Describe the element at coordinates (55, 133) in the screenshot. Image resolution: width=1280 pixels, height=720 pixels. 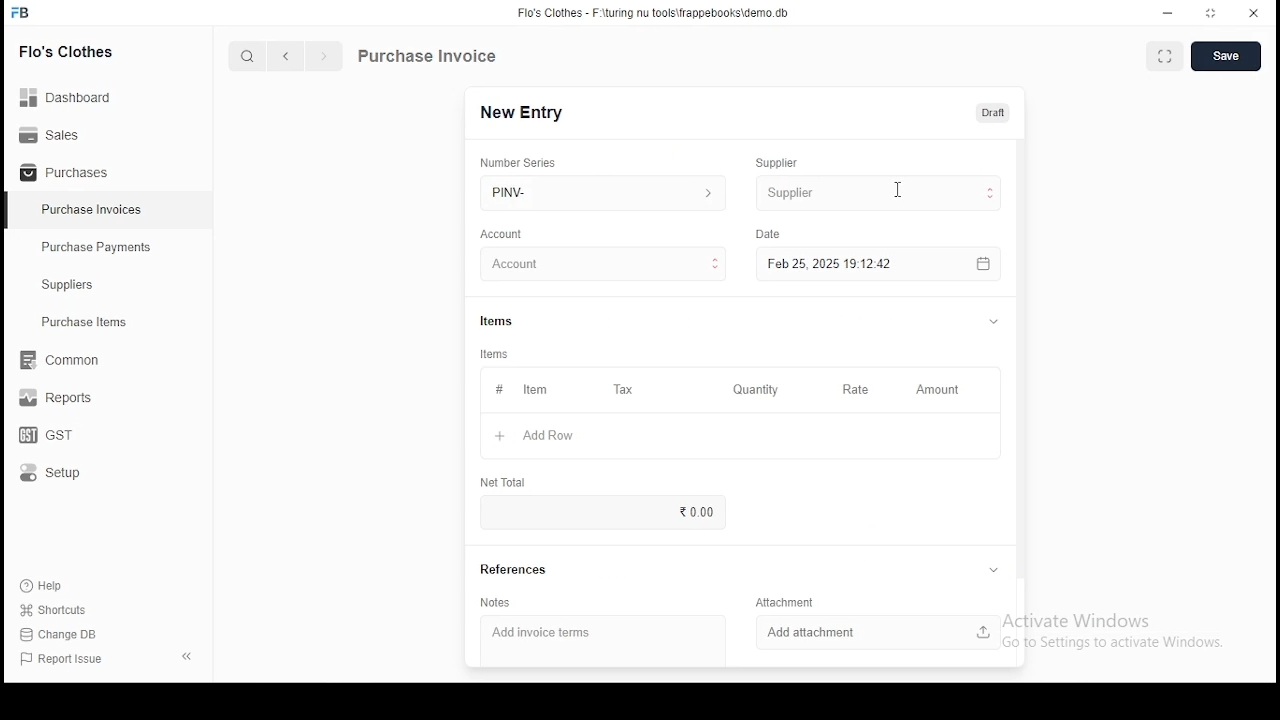
I see `Sales` at that location.